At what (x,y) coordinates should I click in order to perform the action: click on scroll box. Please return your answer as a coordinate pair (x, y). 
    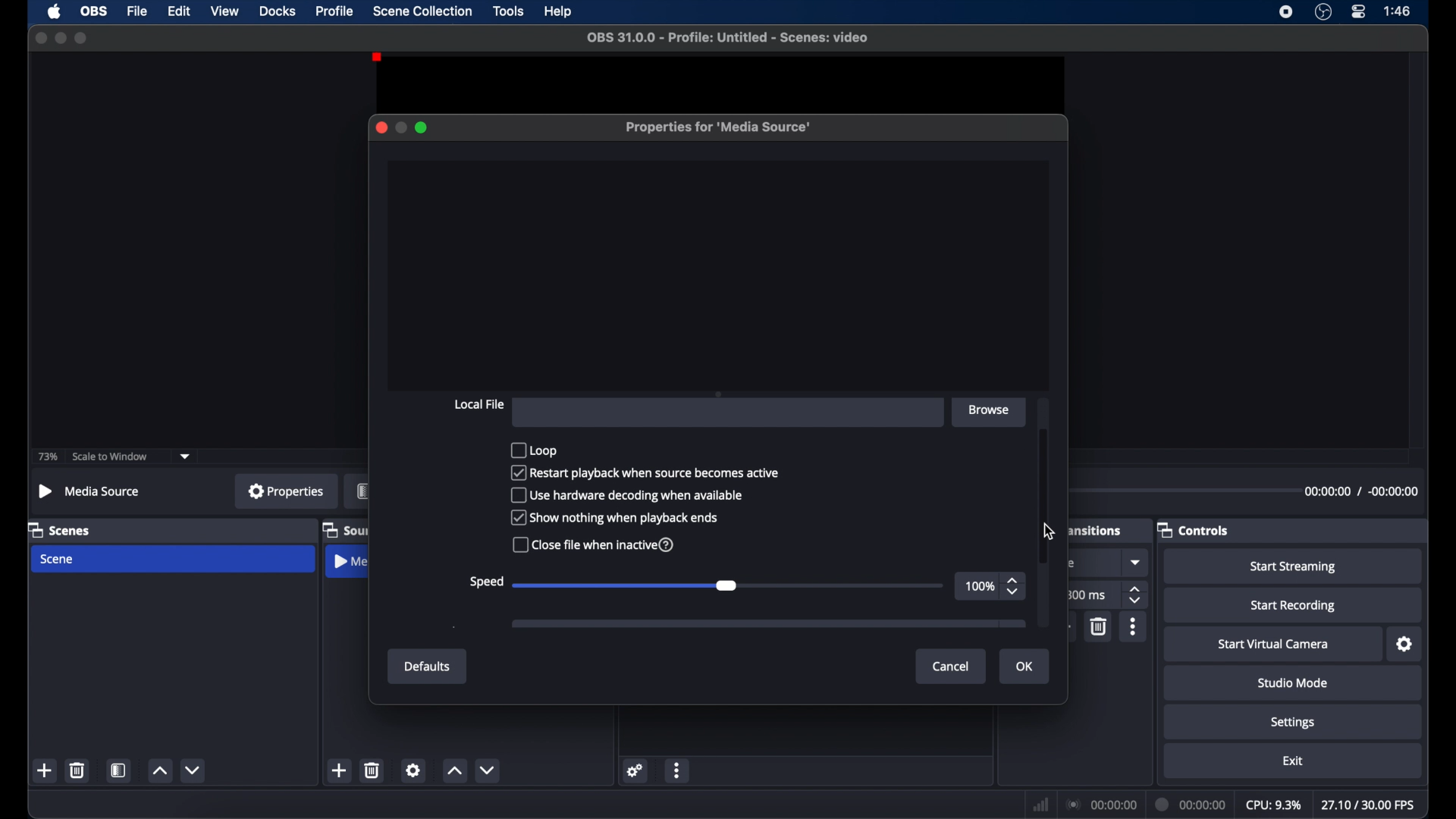
    Looking at the image, I should click on (1045, 491).